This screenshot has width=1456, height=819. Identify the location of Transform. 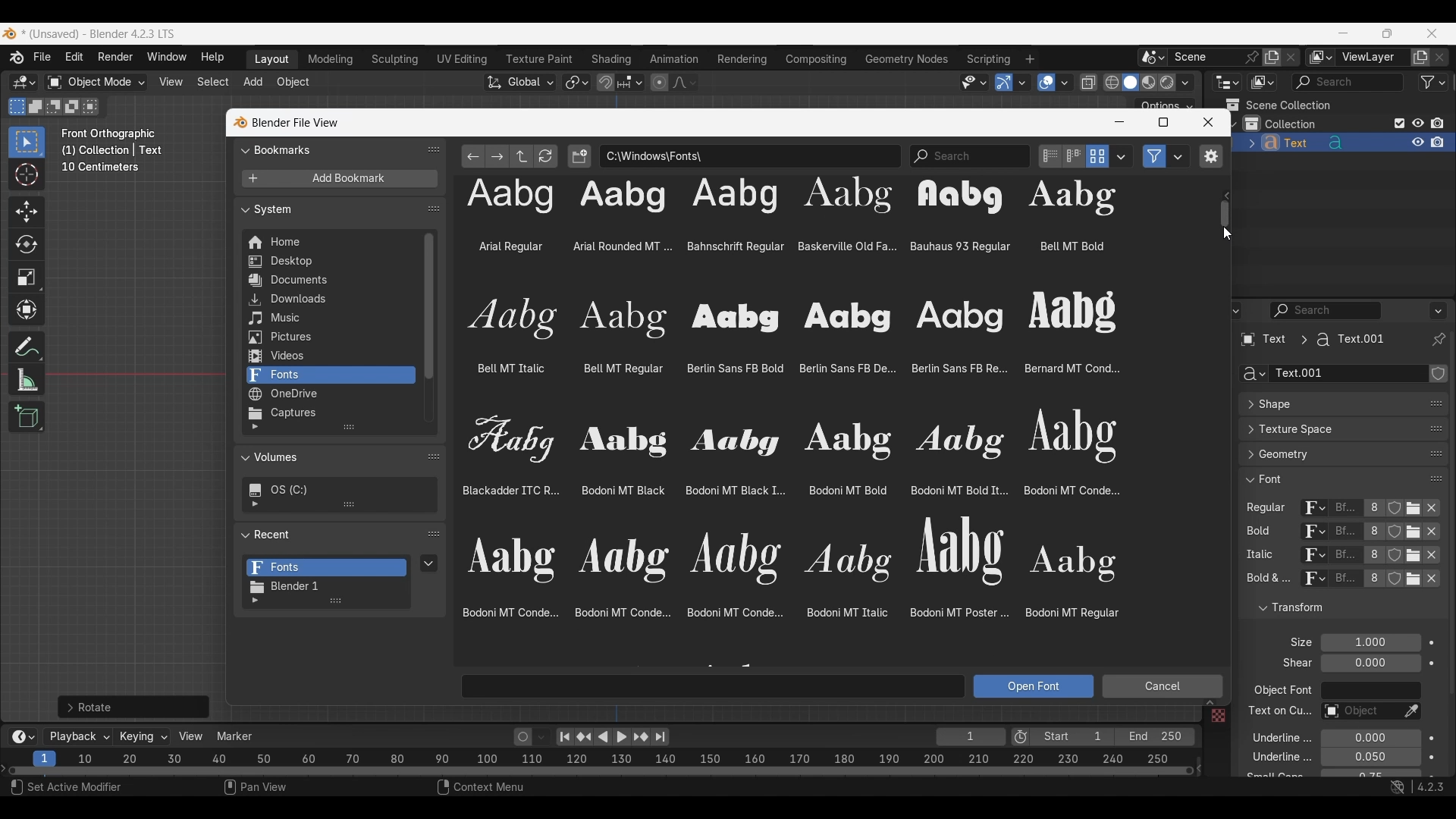
(26, 311).